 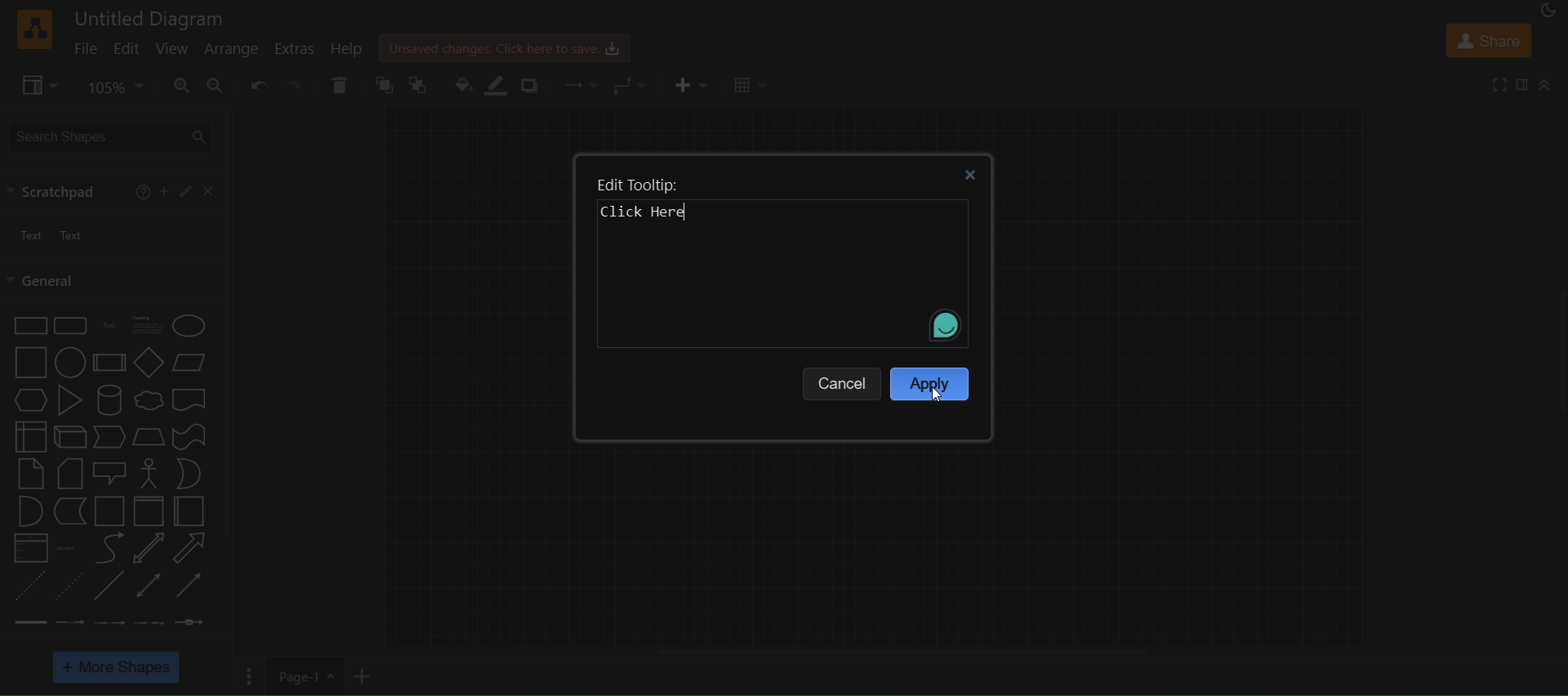 I want to click on general, so click(x=44, y=280).